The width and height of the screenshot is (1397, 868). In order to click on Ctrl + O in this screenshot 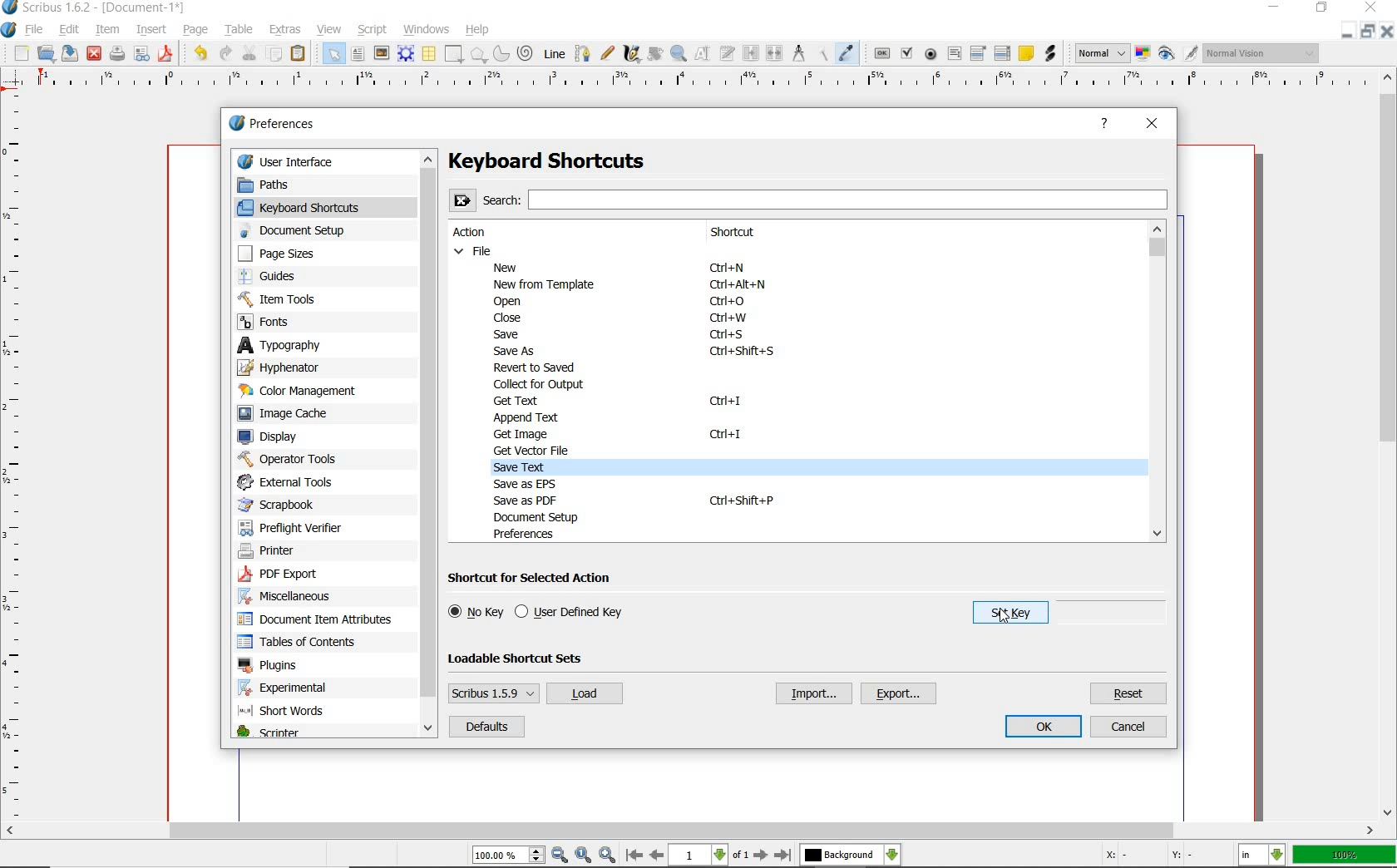, I will do `click(729, 302)`.